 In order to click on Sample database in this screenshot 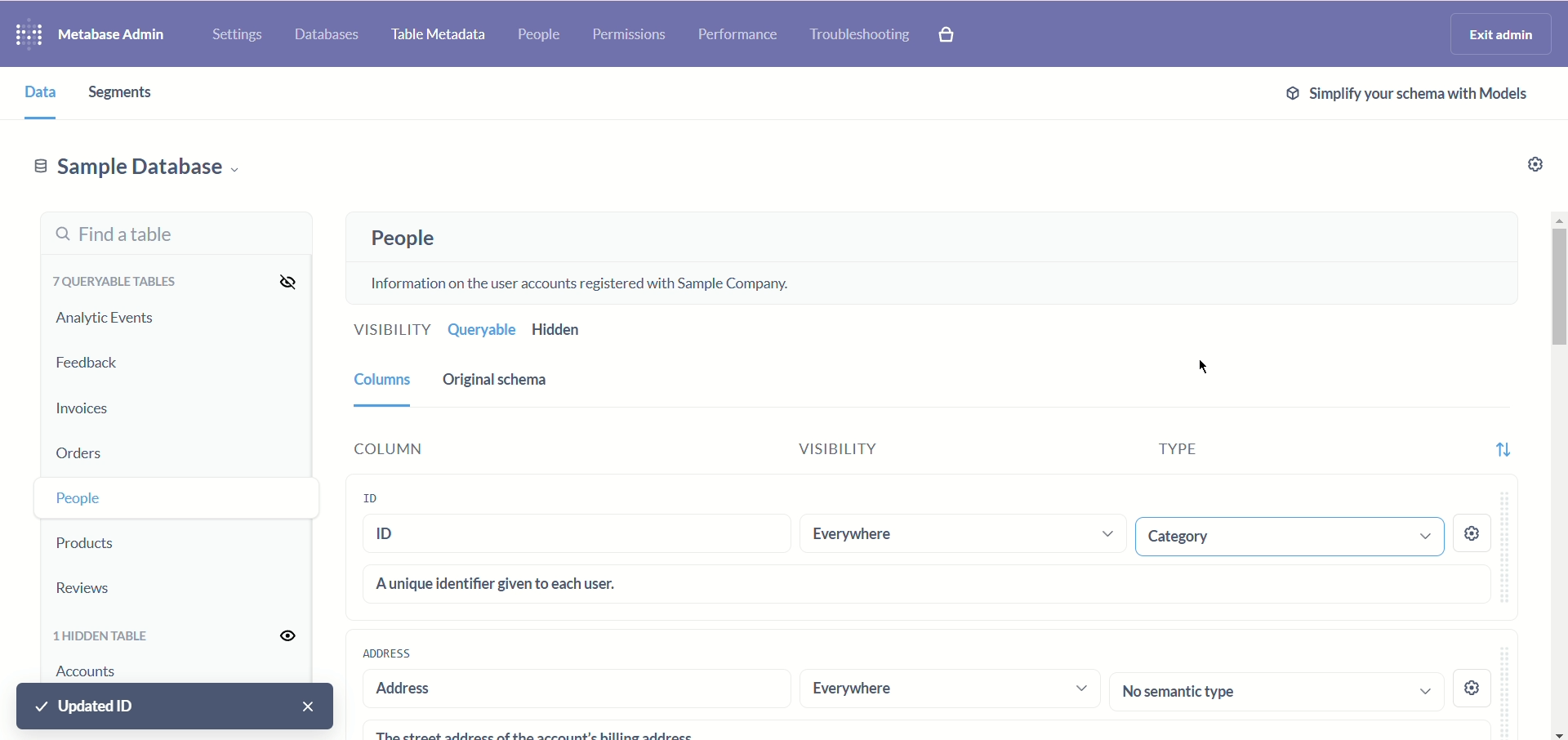, I will do `click(136, 166)`.